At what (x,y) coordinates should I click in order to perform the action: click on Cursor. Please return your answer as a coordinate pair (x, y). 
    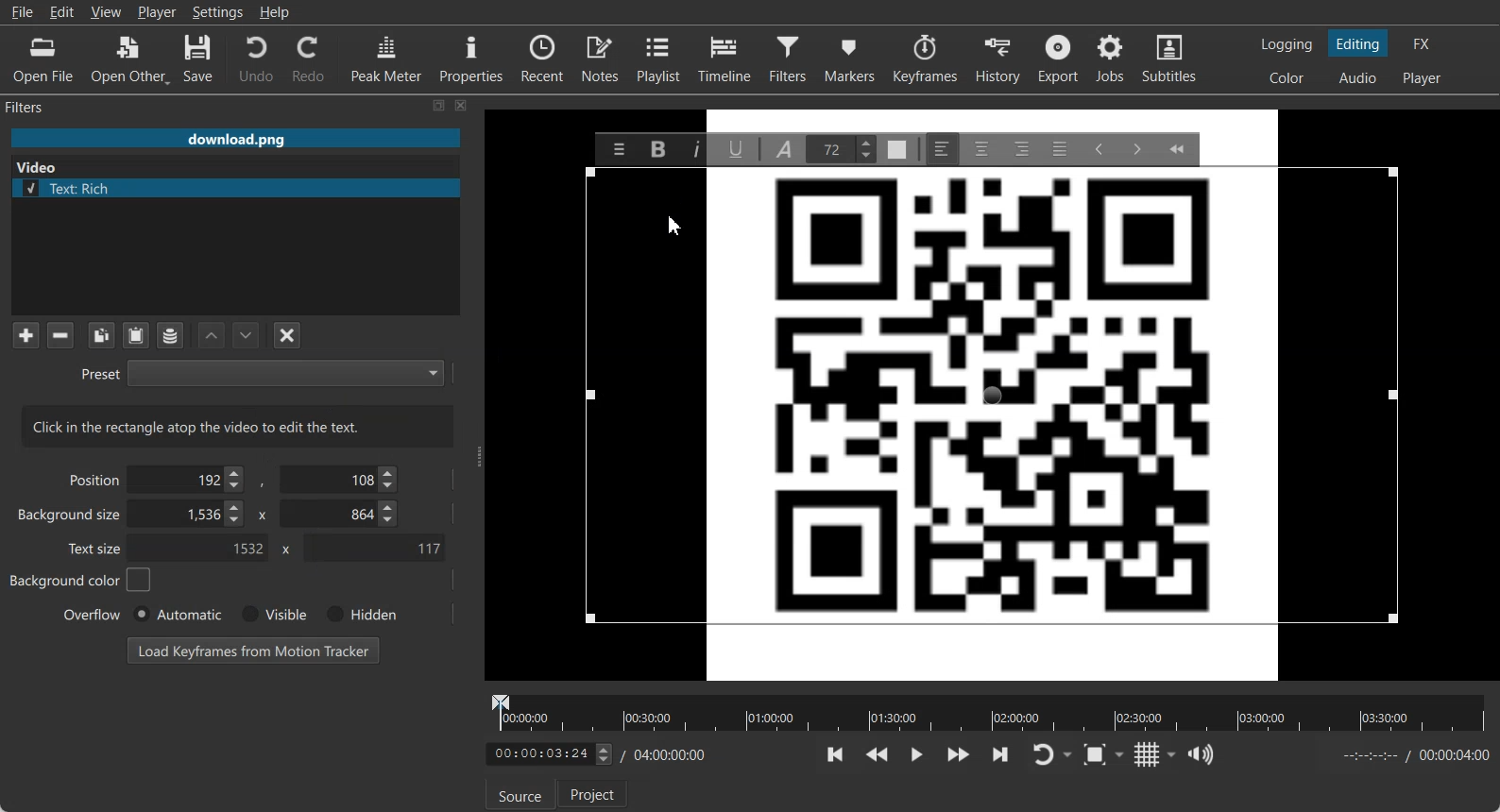
    Looking at the image, I should click on (674, 227).